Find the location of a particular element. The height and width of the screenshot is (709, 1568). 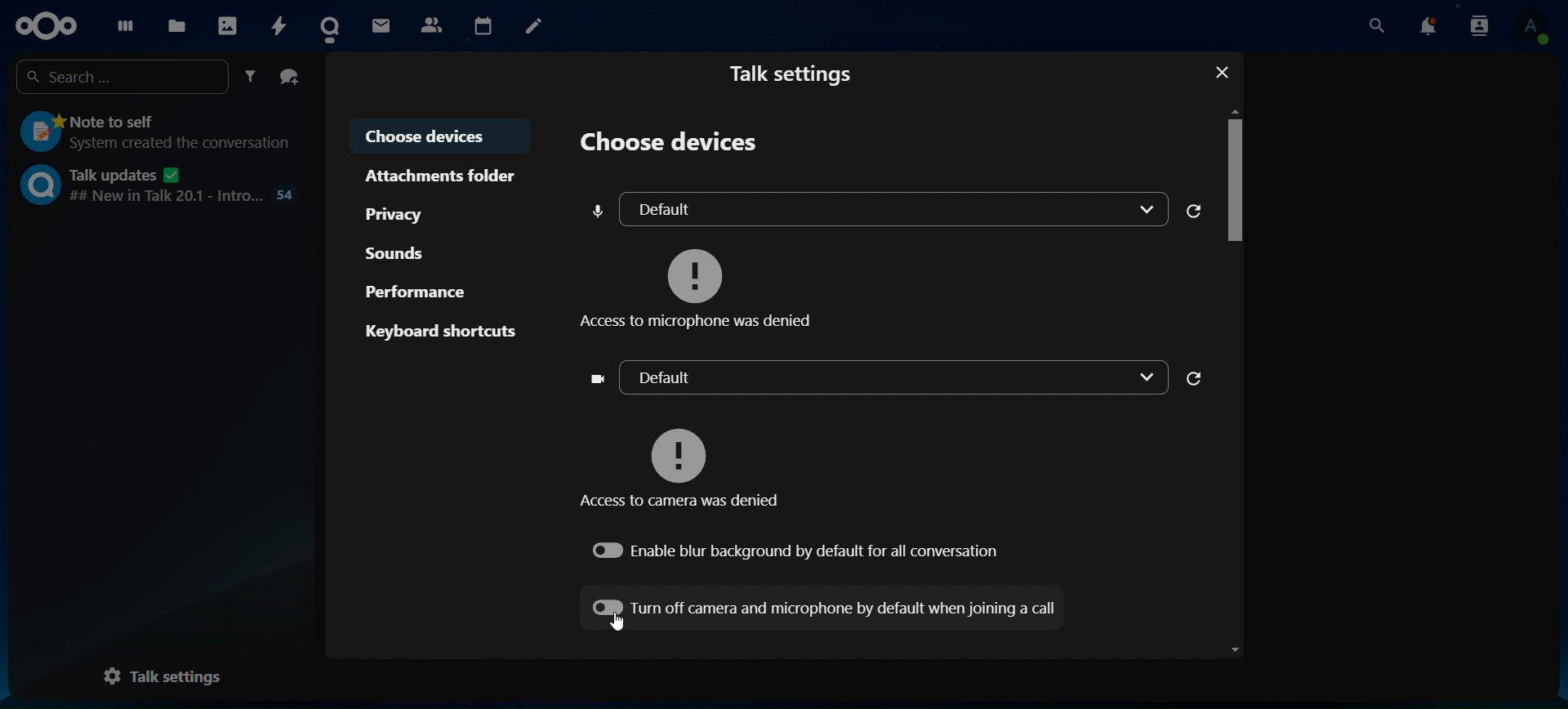

search is located at coordinates (123, 75).